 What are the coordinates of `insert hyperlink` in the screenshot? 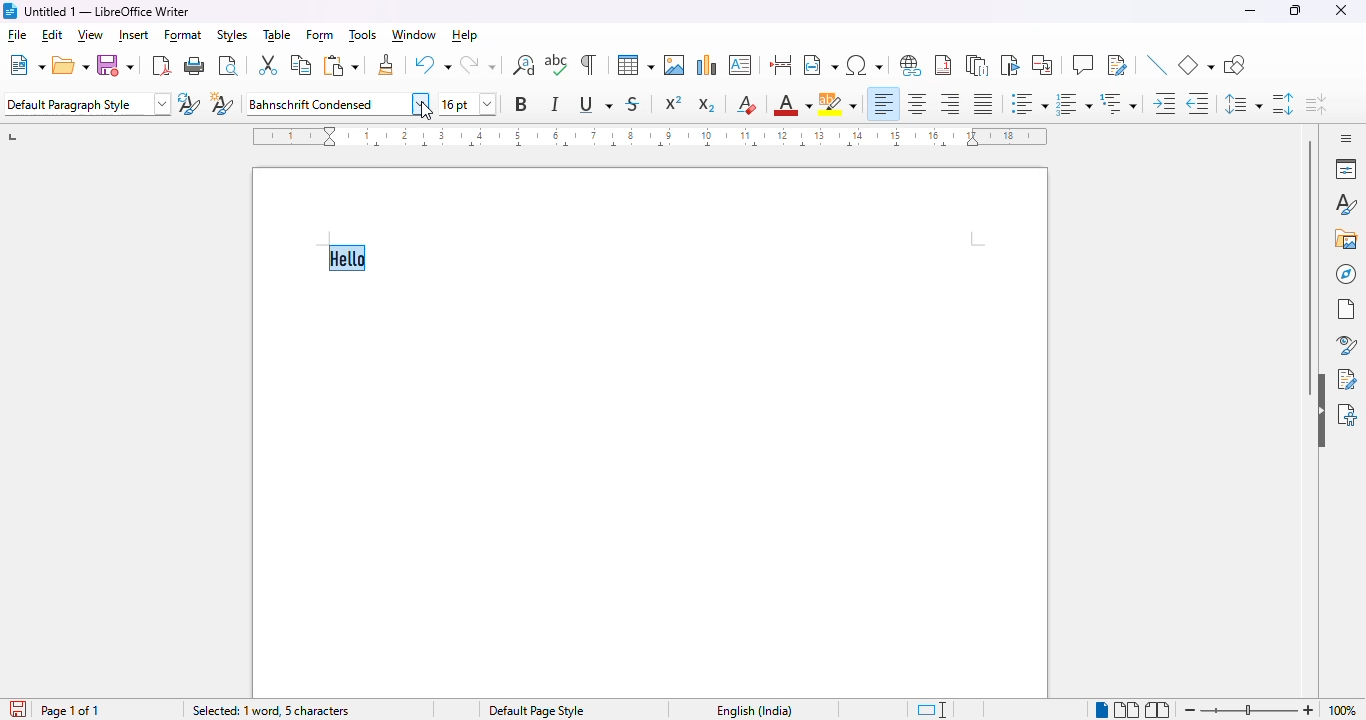 It's located at (912, 65).